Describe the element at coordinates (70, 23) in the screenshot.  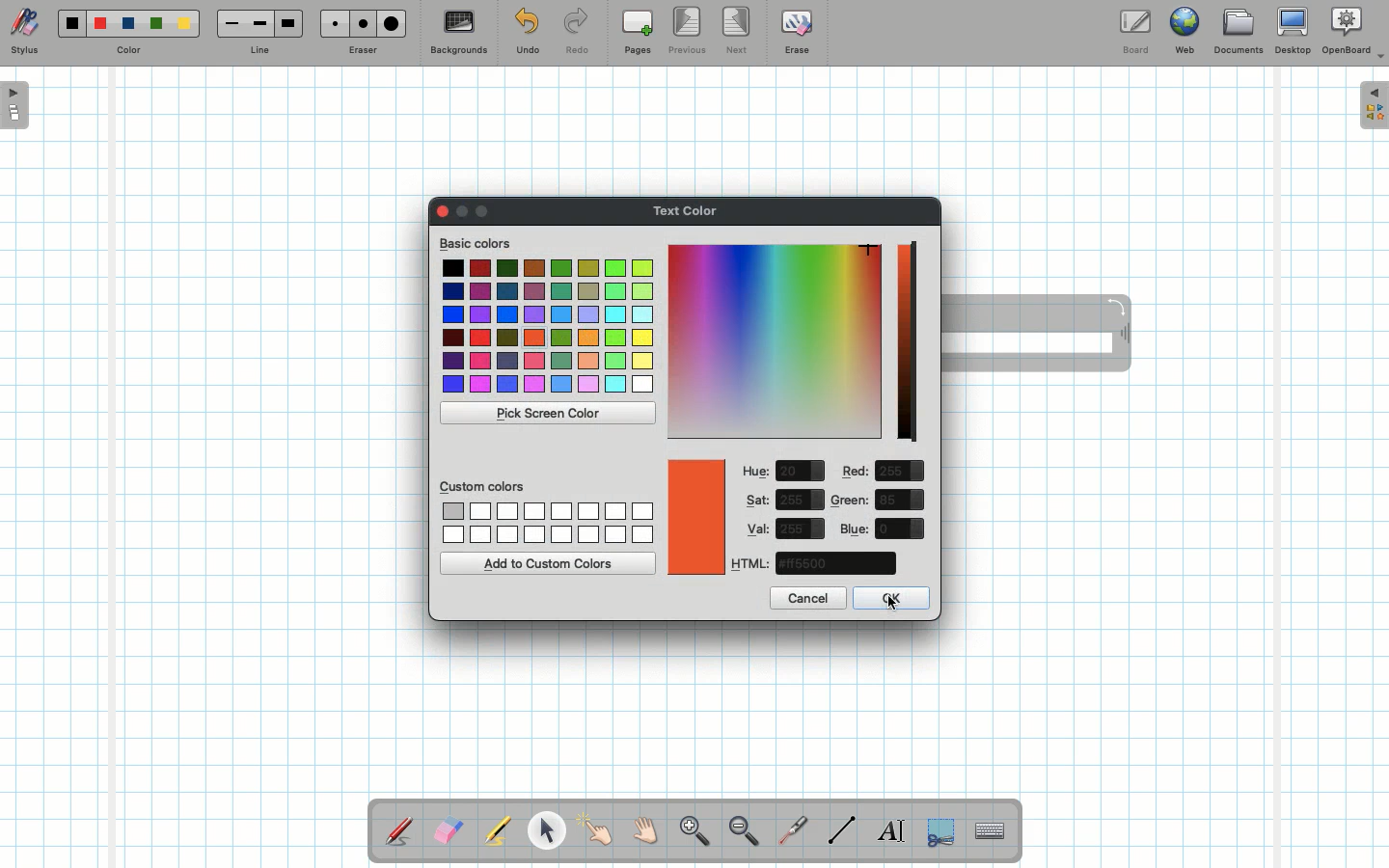
I see `Black` at that location.